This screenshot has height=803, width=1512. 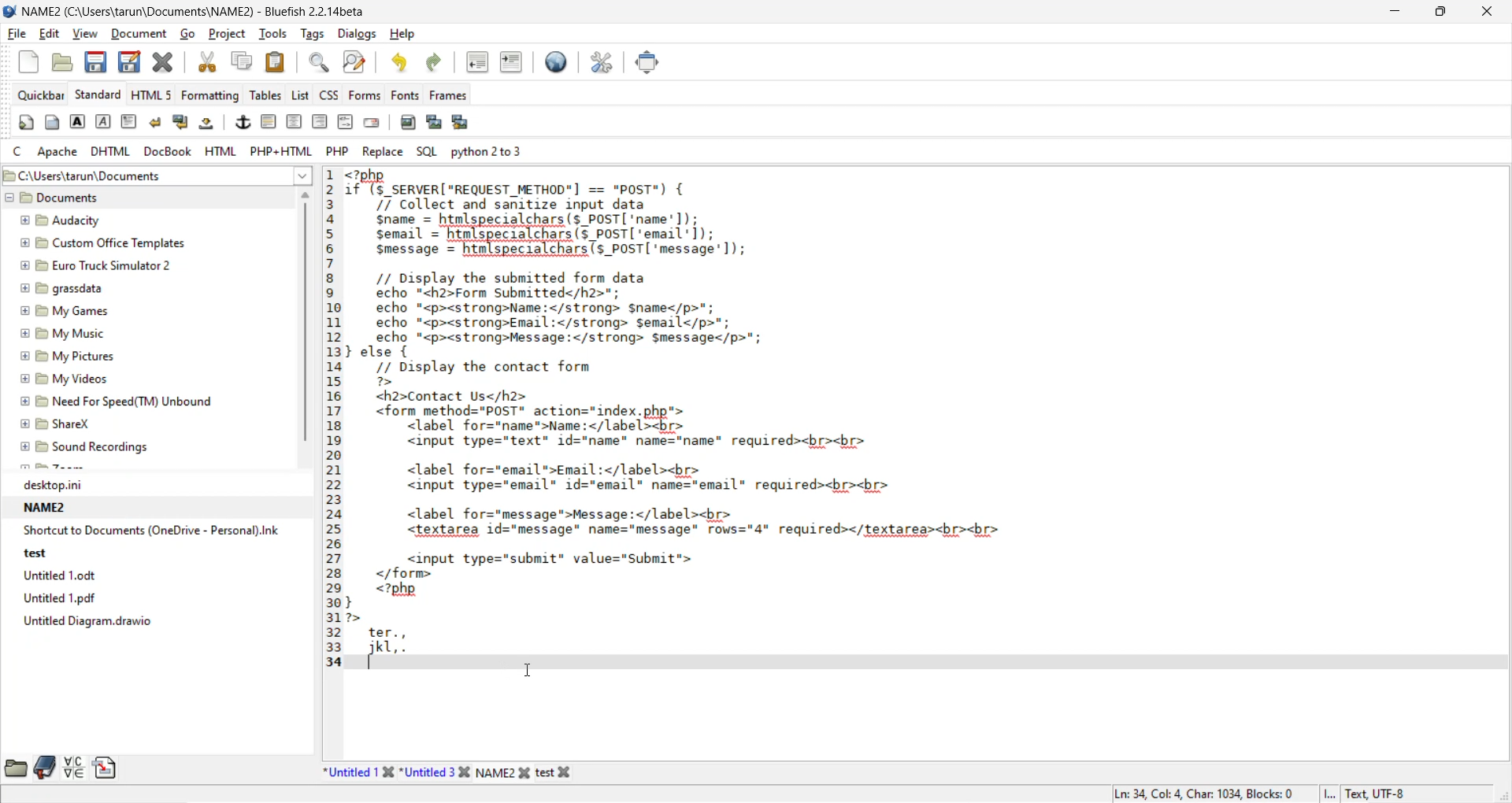 What do you see at coordinates (19, 151) in the screenshot?
I see `c` at bounding box center [19, 151].